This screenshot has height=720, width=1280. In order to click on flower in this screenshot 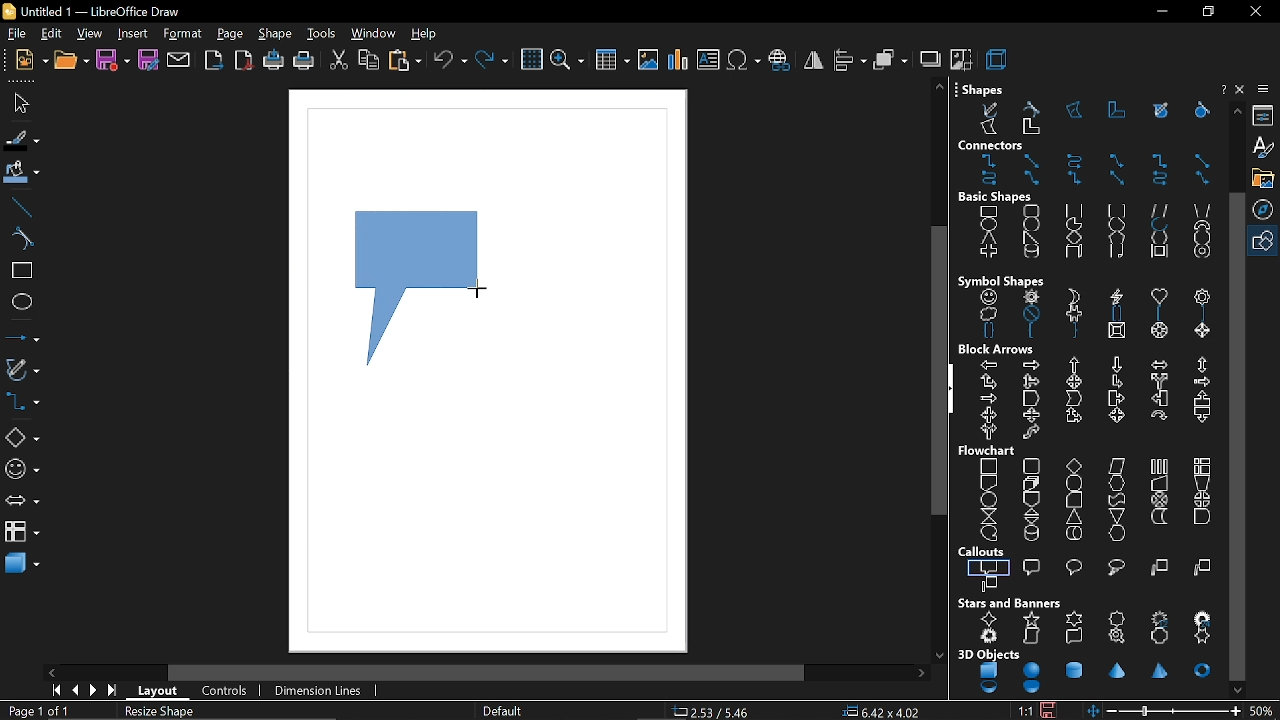, I will do `click(1201, 296)`.